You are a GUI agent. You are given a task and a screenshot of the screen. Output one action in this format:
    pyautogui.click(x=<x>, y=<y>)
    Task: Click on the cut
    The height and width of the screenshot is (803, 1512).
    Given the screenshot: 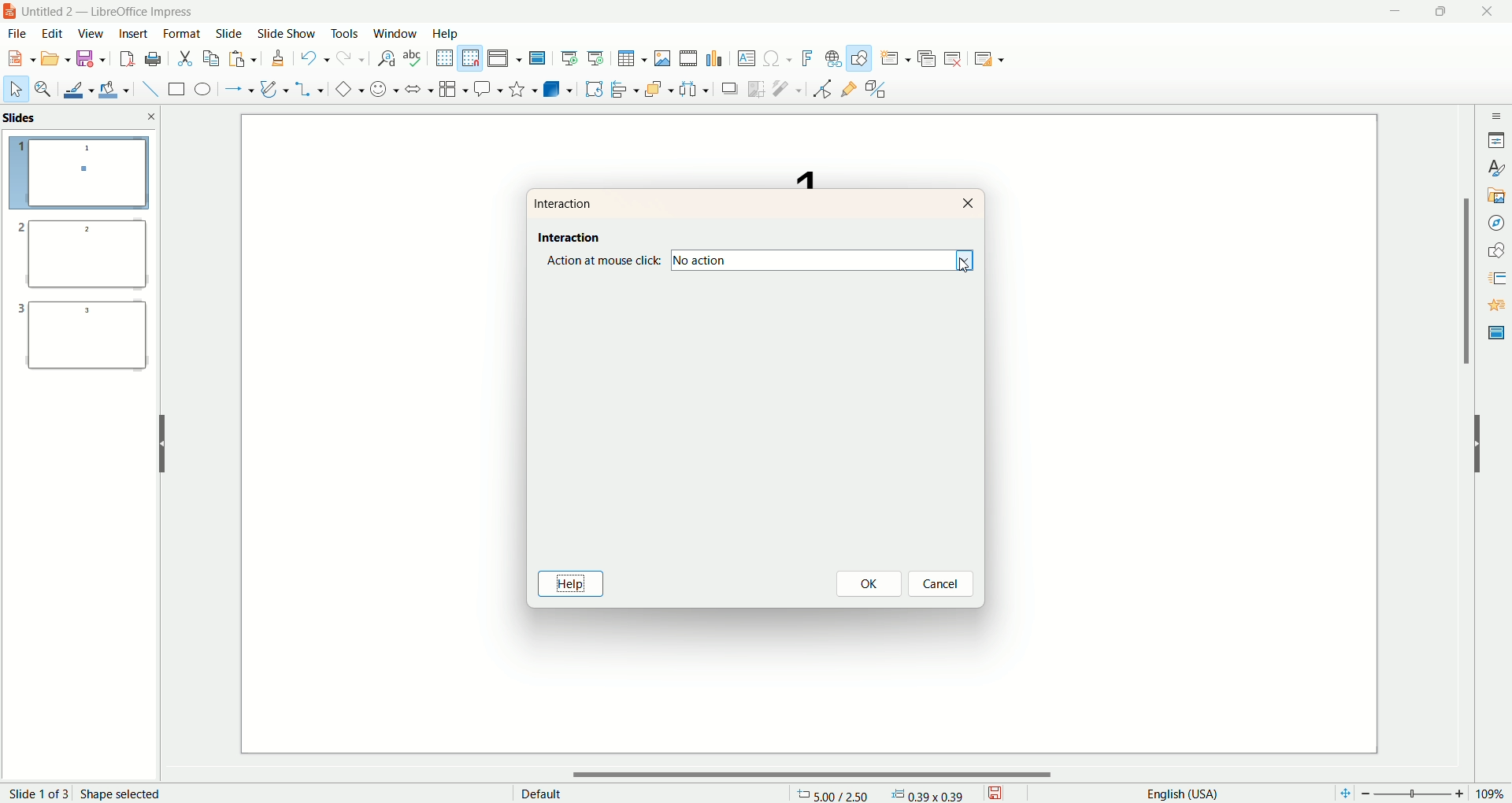 What is the action you would take?
    pyautogui.click(x=186, y=57)
    